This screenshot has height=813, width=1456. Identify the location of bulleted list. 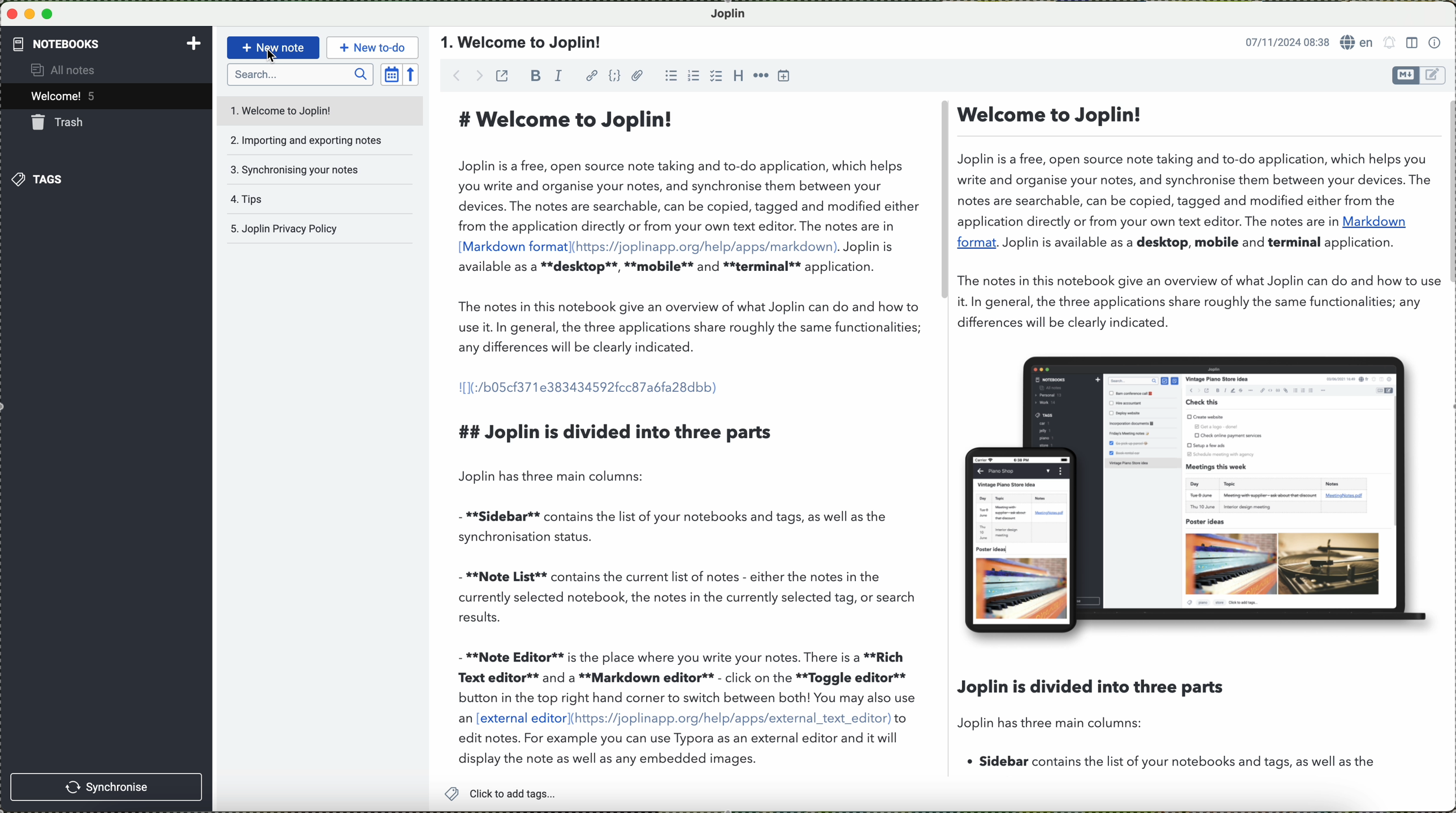
(670, 76).